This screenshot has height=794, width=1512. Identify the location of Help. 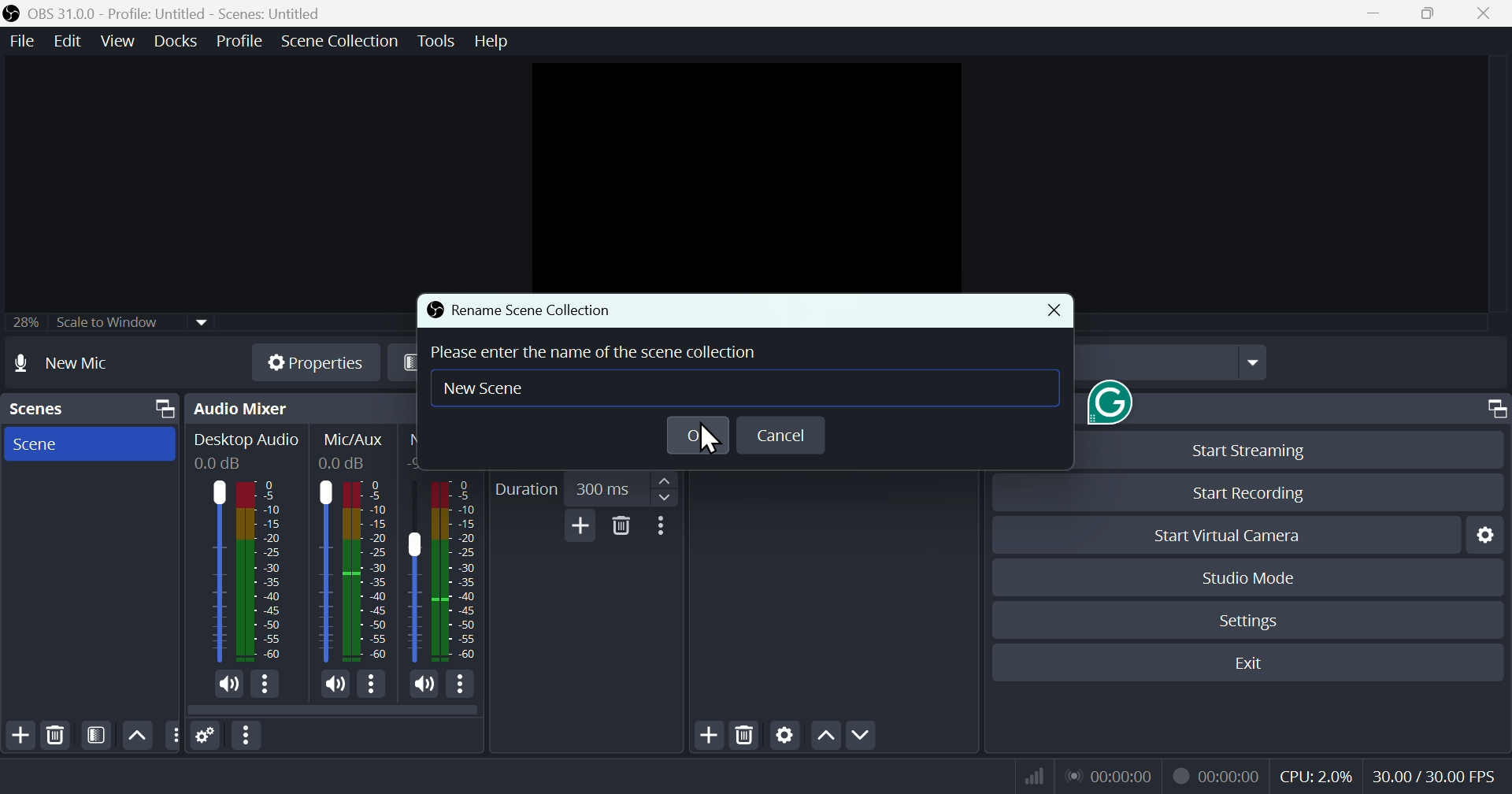
(494, 43).